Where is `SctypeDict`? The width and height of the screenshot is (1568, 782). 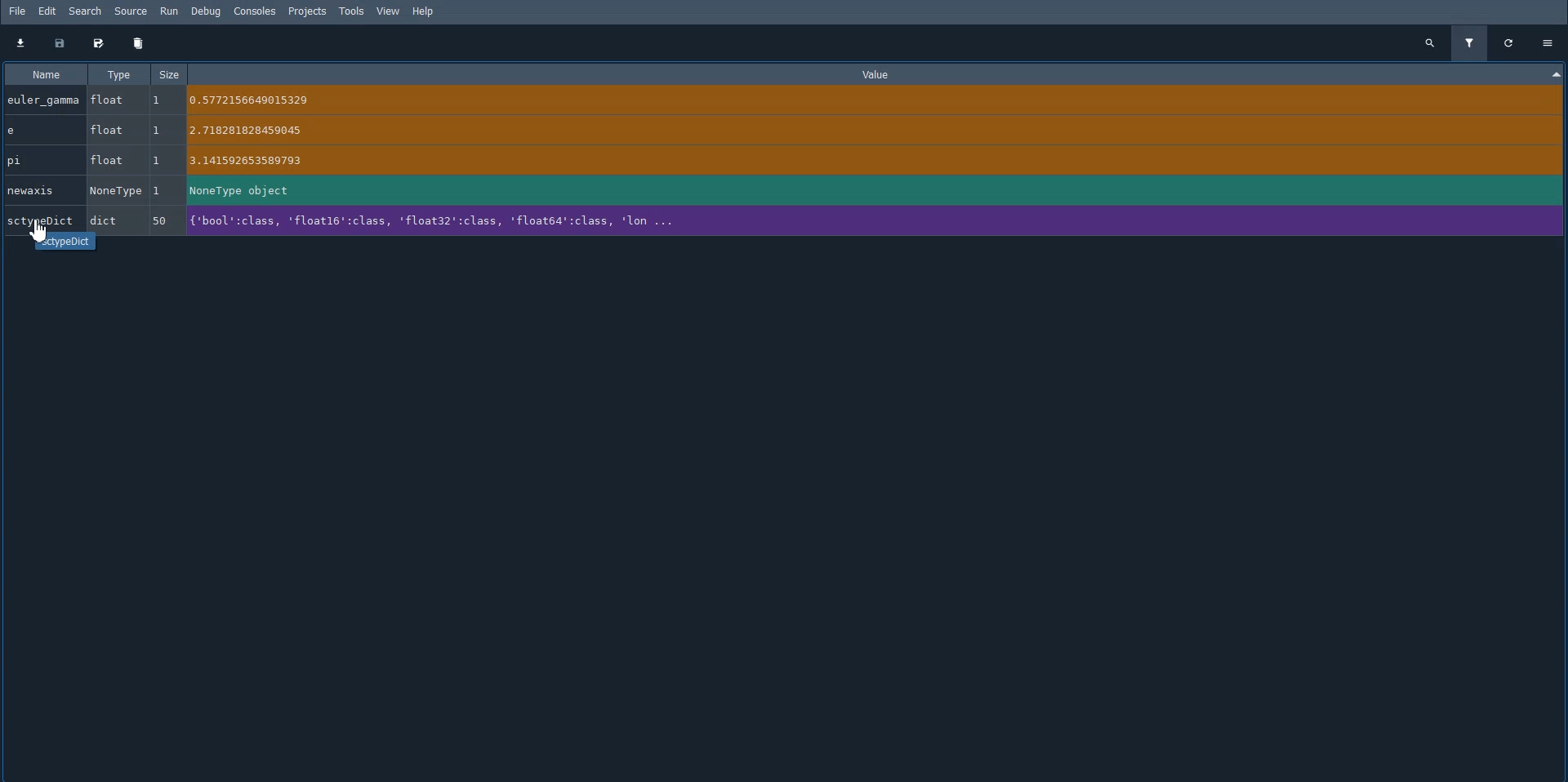 SctypeDict is located at coordinates (346, 217).